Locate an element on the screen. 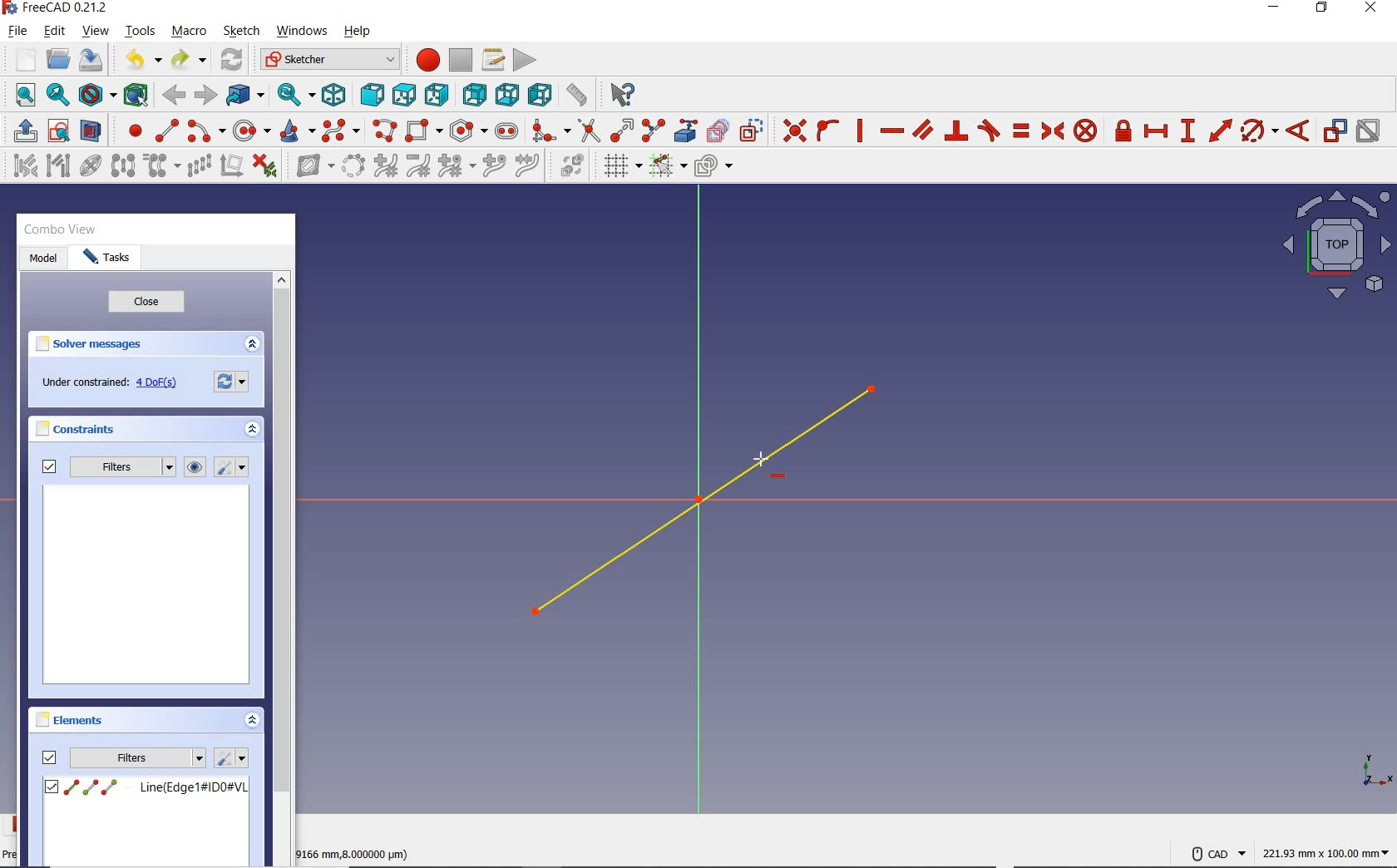  DECREASE B-SPLINE DEGREE is located at coordinates (417, 165).